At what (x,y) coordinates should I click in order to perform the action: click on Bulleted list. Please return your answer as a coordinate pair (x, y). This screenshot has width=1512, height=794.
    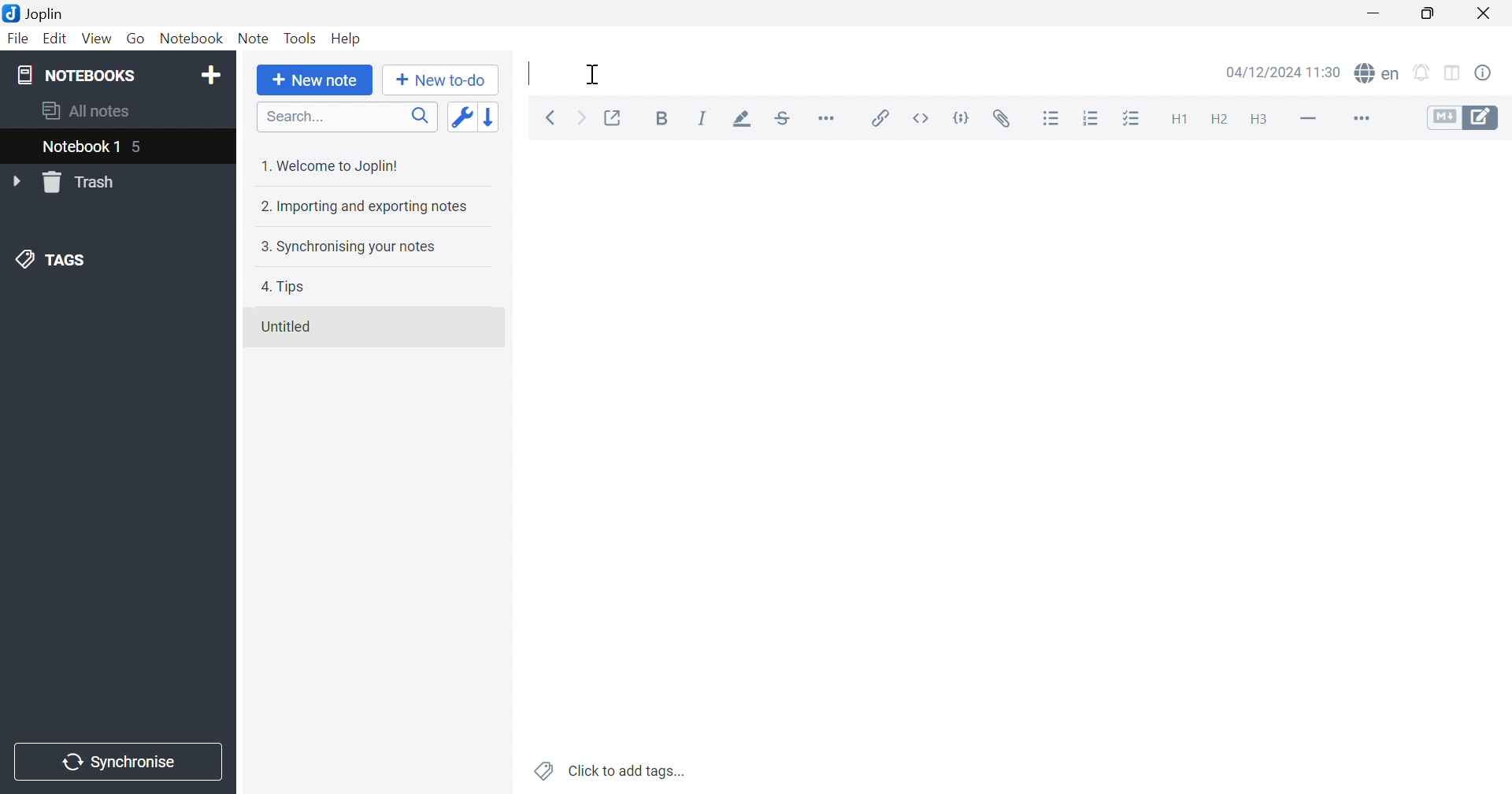
    Looking at the image, I should click on (1052, 121).